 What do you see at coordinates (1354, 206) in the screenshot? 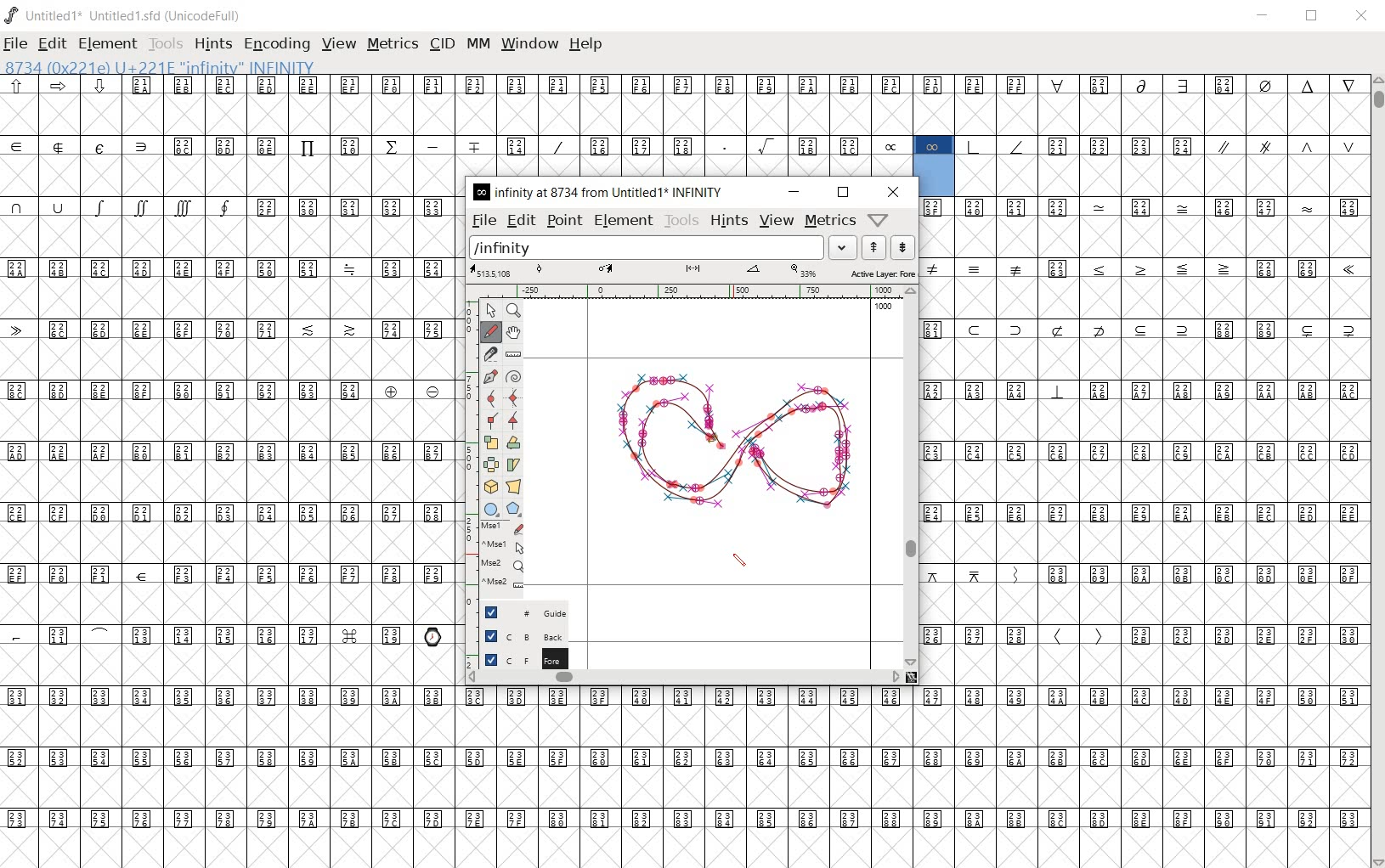
I see `small letters a b` at bounding box center [1354, 206].